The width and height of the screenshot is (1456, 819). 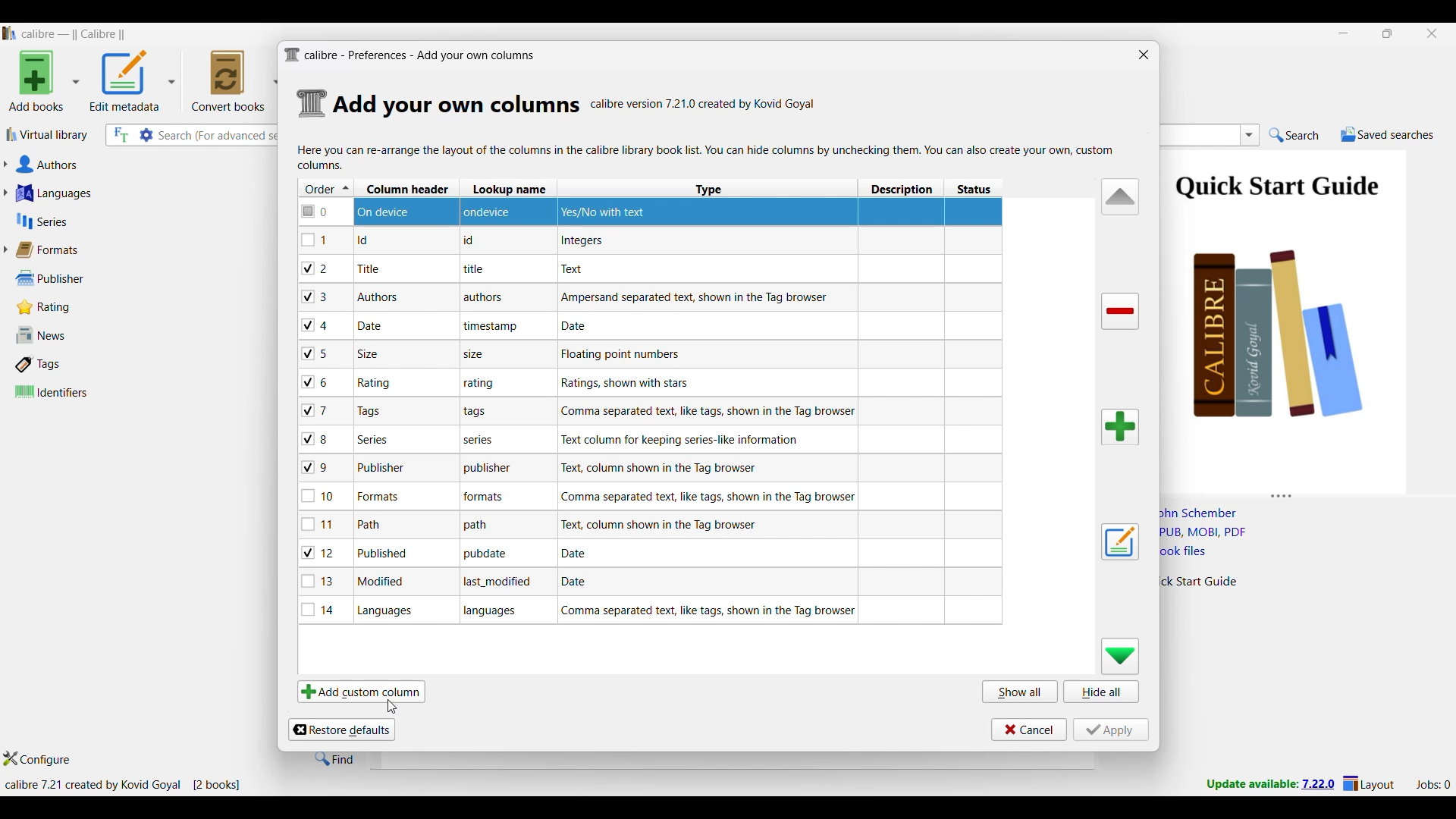 I want to click on checkbox - 6, so click(x=318, y=383).